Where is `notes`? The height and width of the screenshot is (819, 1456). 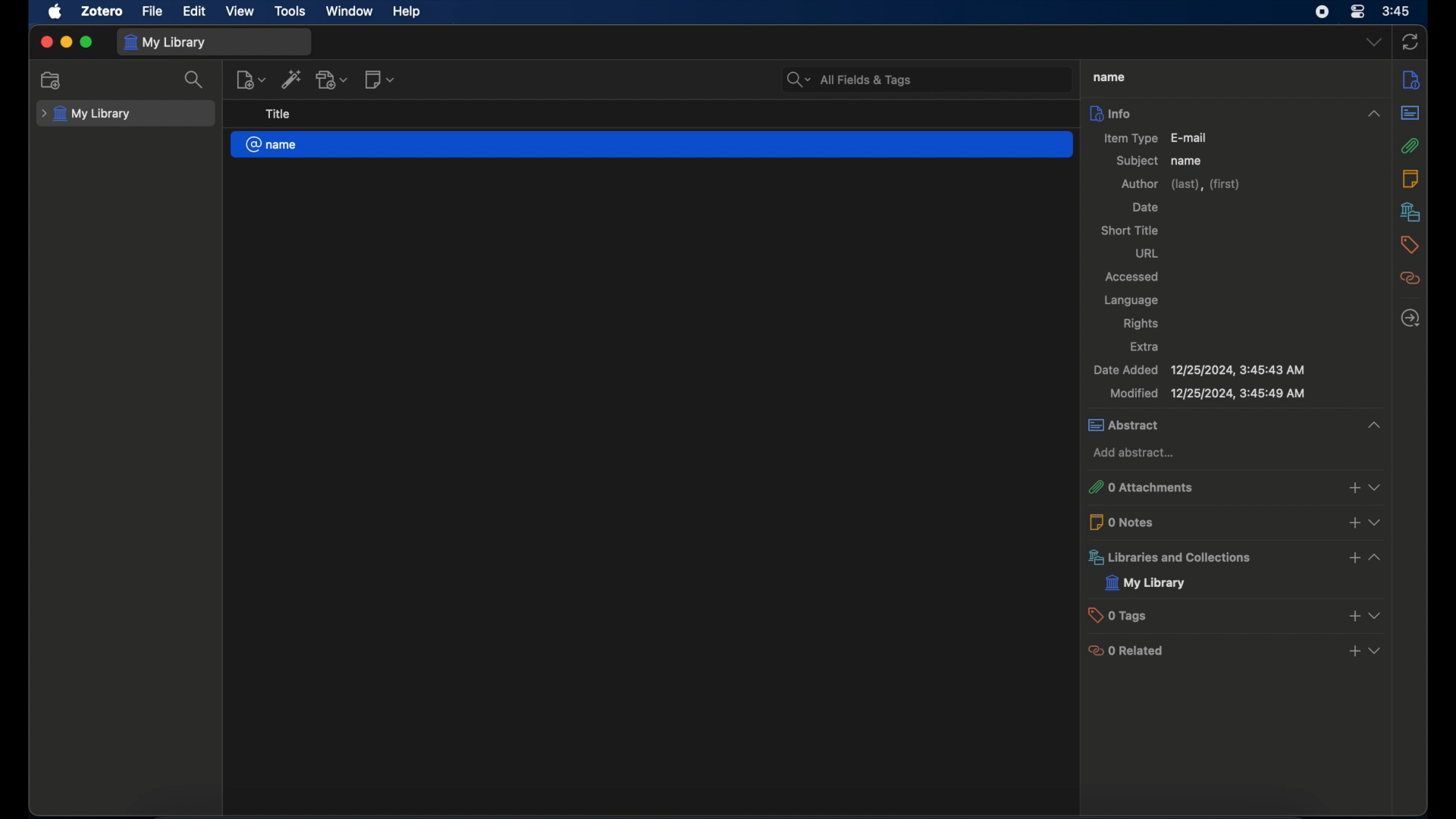
notes is located at coordinates (1410, 179).